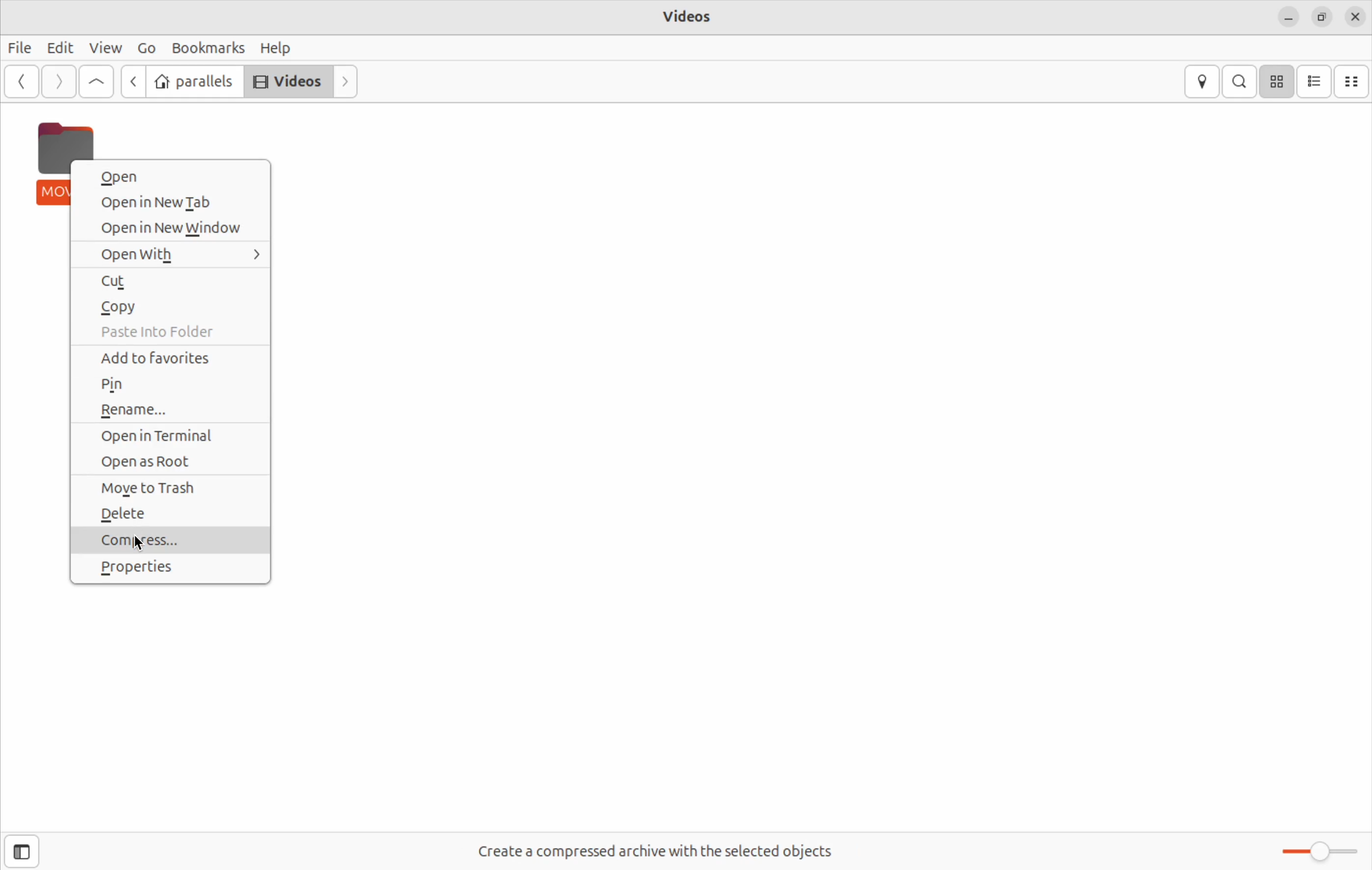 The width and height of the screenshot is (1372, 870). What do you see at coordinates (175, 333) in the screenshot?
I see `paste into folder` at bounding box center [175, 333].